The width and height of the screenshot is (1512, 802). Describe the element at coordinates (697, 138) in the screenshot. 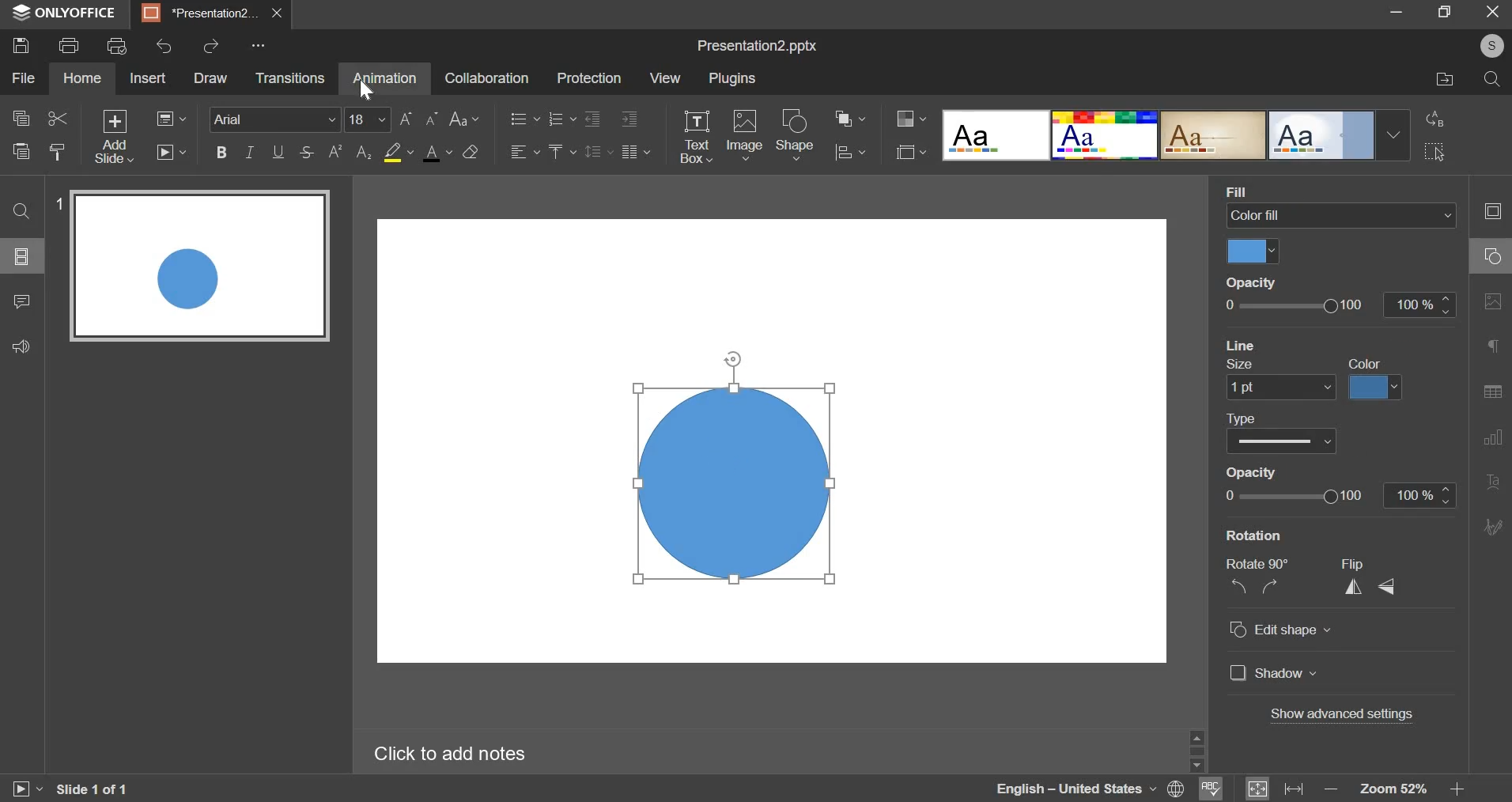

I see `text box` at that location.